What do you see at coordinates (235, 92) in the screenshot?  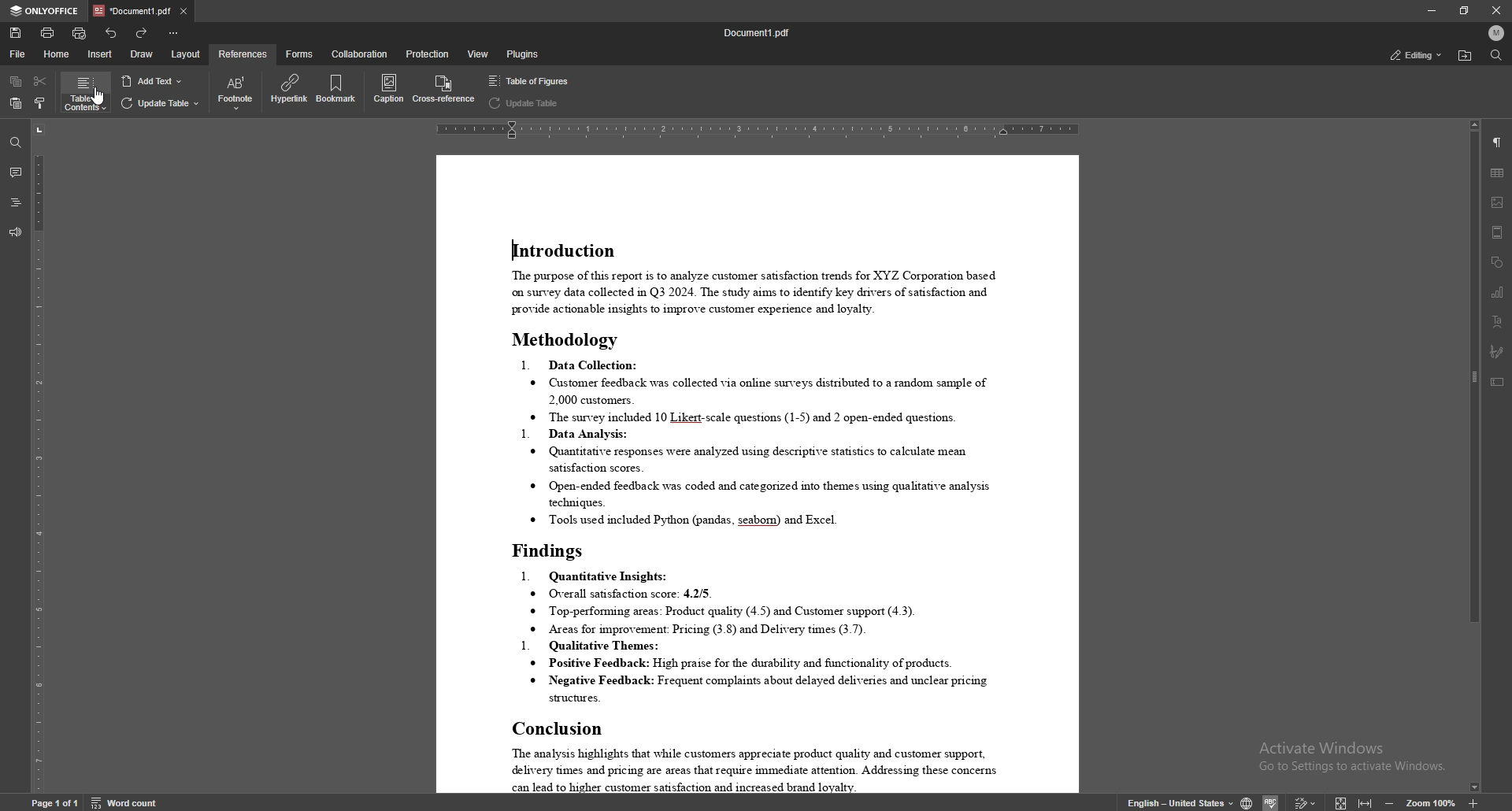 I see `footnote` at bounding box center [235, 92].